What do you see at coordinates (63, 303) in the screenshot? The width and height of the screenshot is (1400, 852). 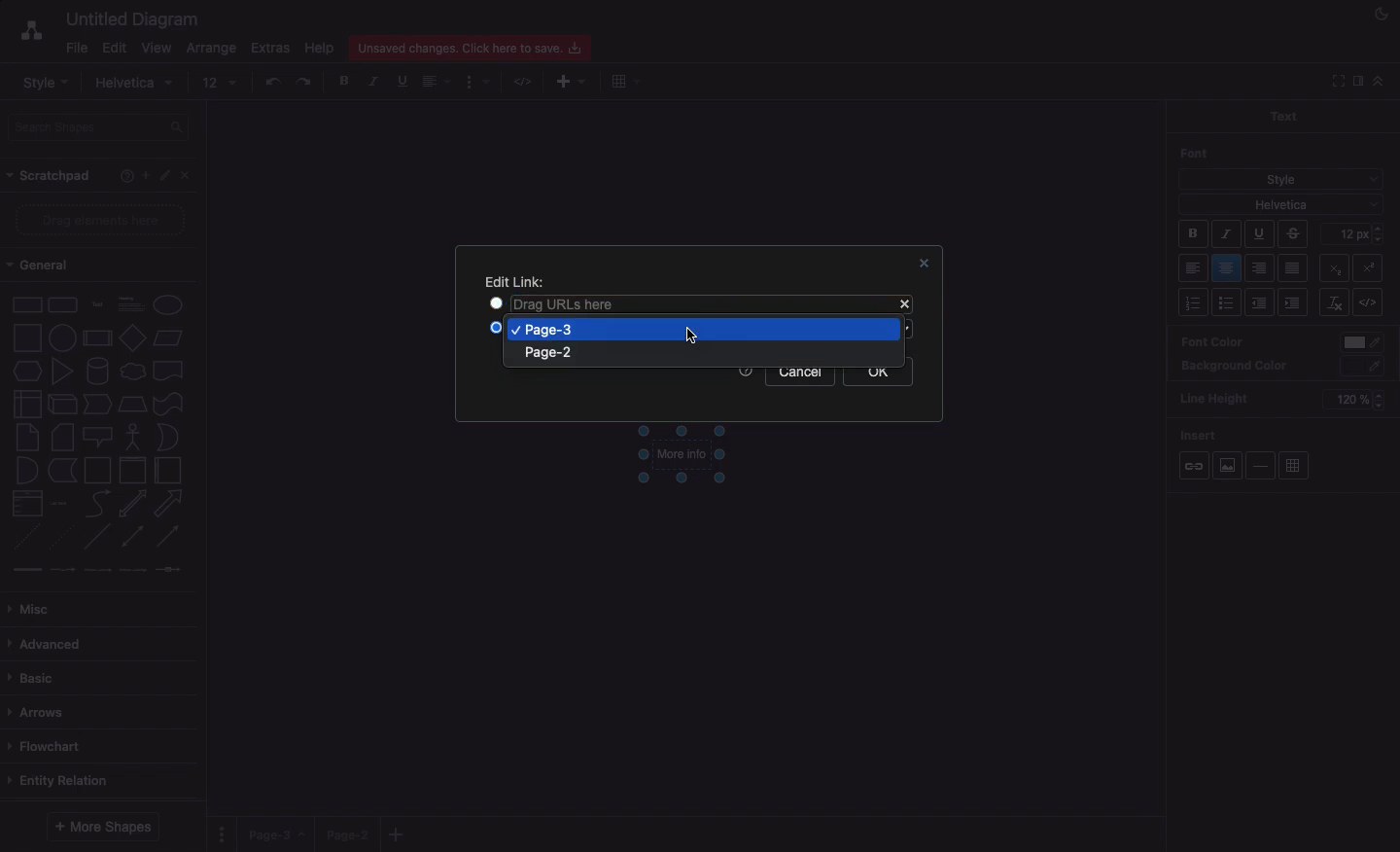 I see `rounded rectangle` at bounding box center [63, 303].